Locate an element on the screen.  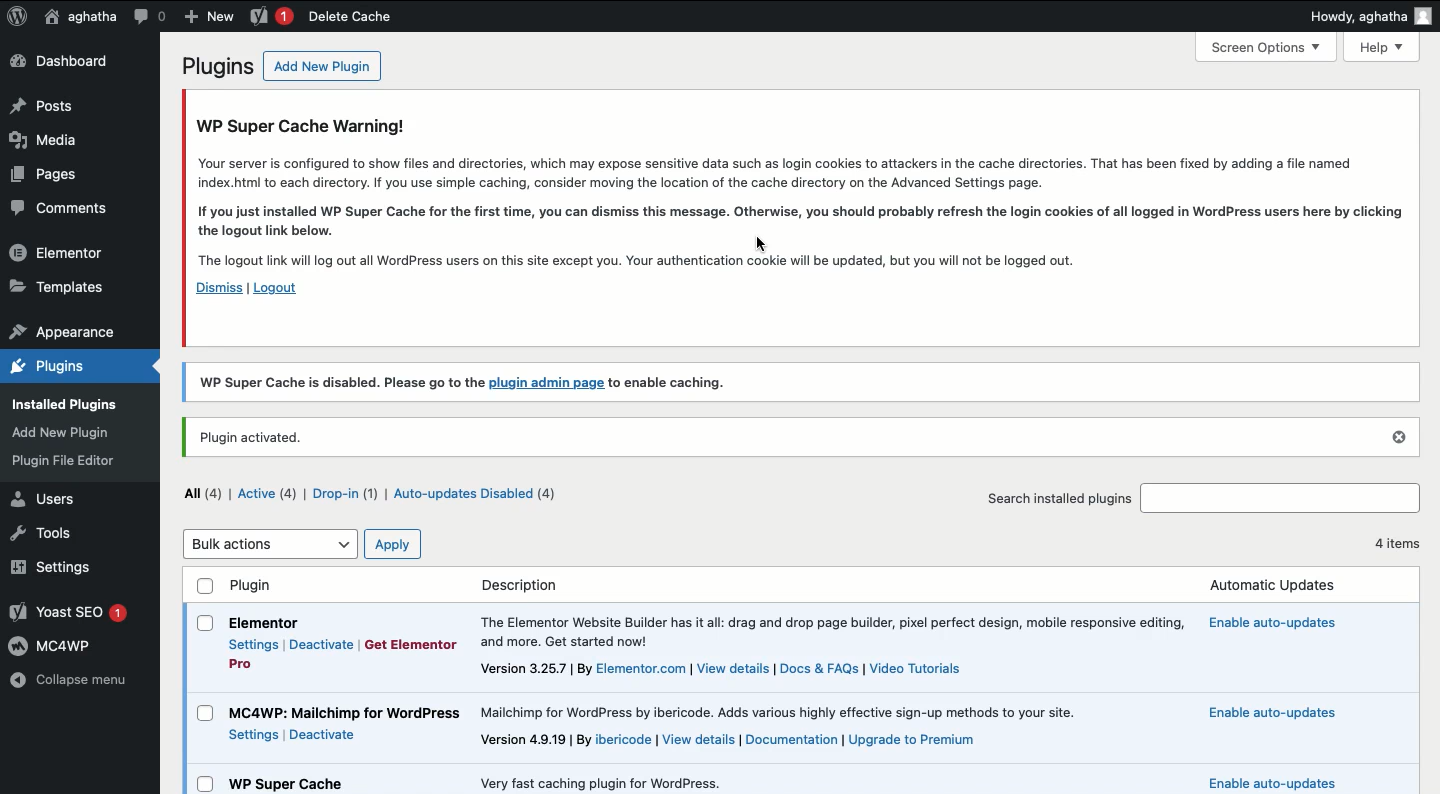
Screen Options v is located at coordinates (1268, 48).